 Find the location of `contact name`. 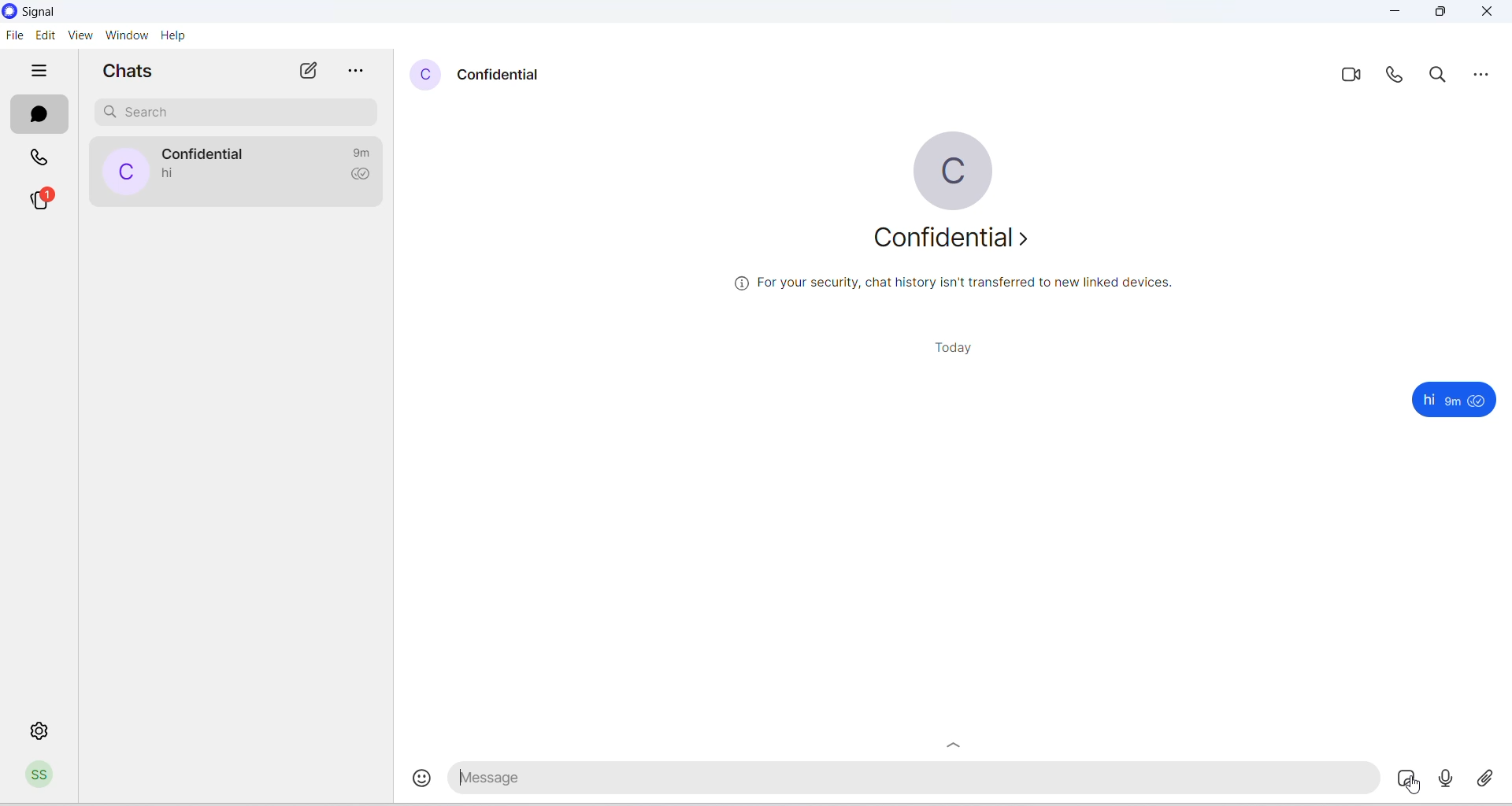

contact name is located at coordinates (504, 73).